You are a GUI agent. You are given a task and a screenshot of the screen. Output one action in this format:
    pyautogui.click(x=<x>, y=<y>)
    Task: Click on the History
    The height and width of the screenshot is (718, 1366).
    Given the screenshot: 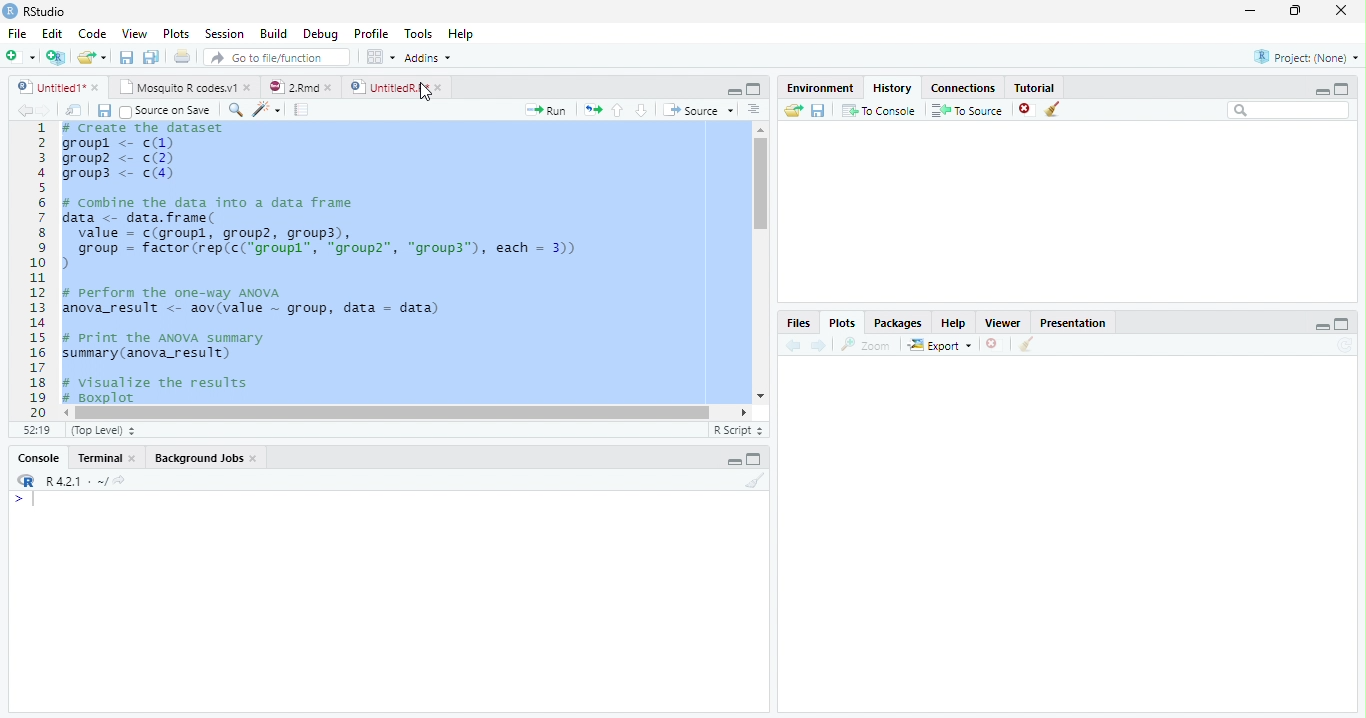 What is the action you would take?
    pyautogui.click(x=893, y=87)
    